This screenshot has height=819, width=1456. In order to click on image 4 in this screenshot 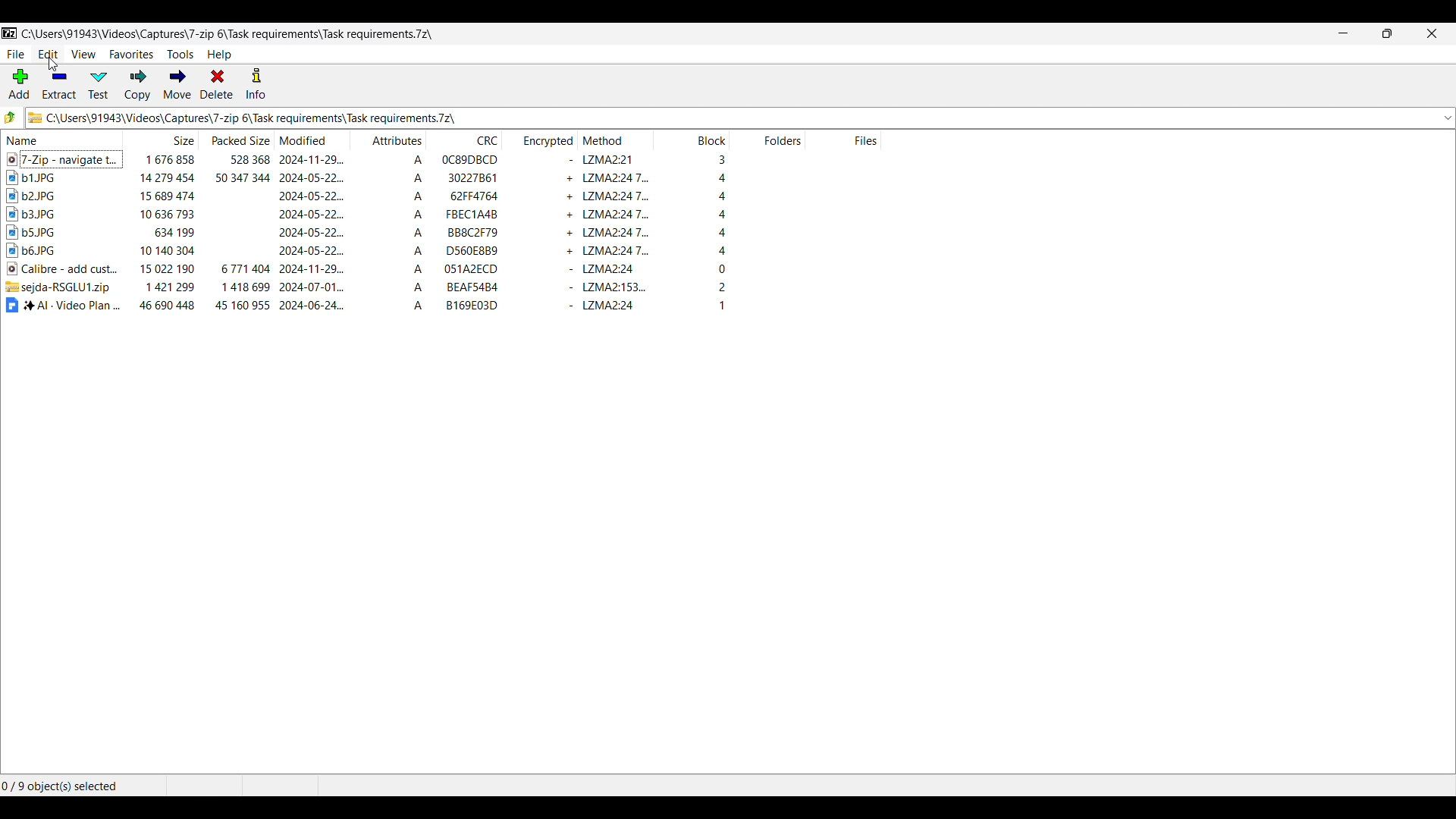, I will do `click(46, 231)`.